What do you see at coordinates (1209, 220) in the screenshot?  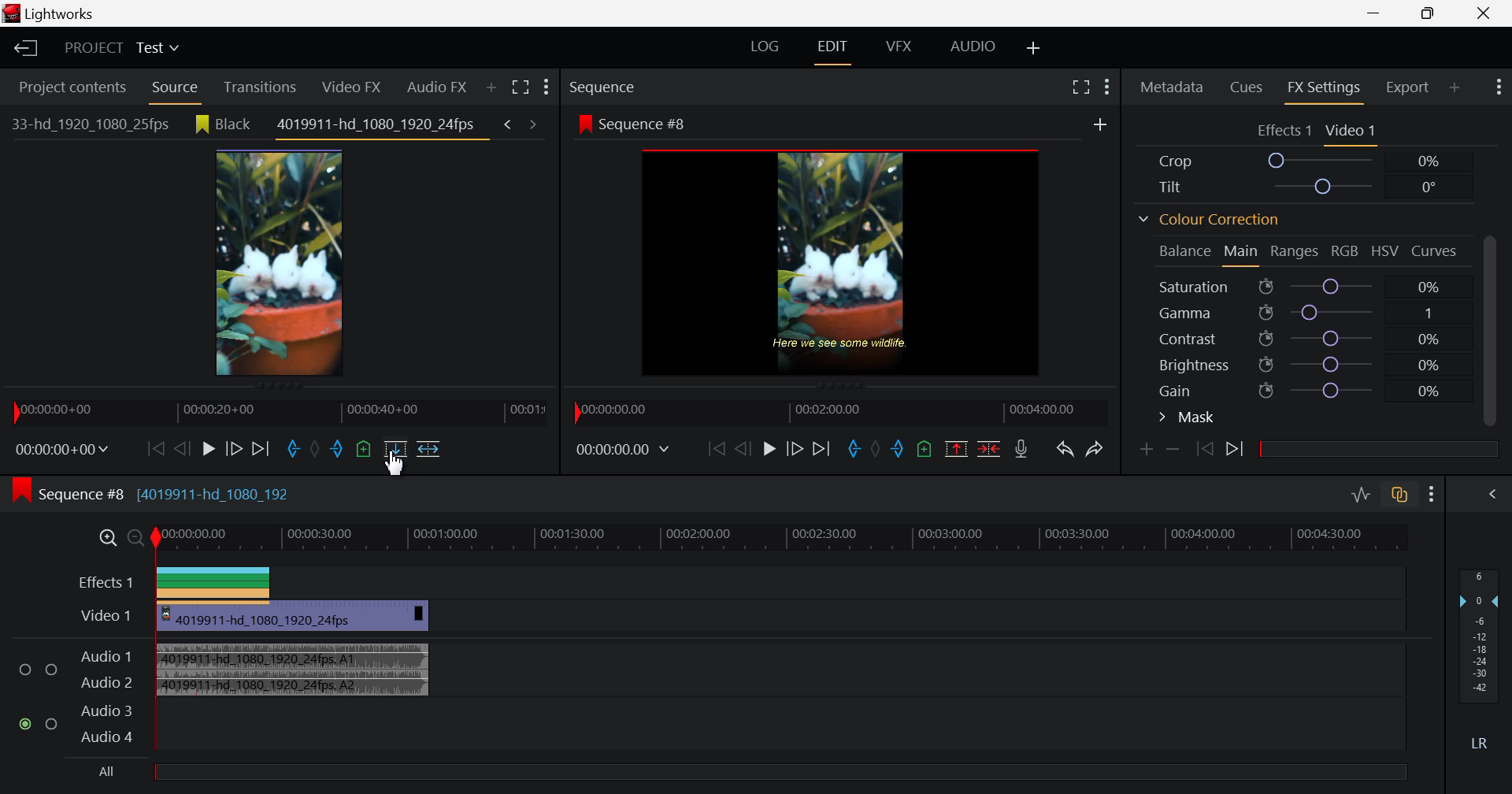 I see `Colour Correction` at bounding box center [1209, 220].